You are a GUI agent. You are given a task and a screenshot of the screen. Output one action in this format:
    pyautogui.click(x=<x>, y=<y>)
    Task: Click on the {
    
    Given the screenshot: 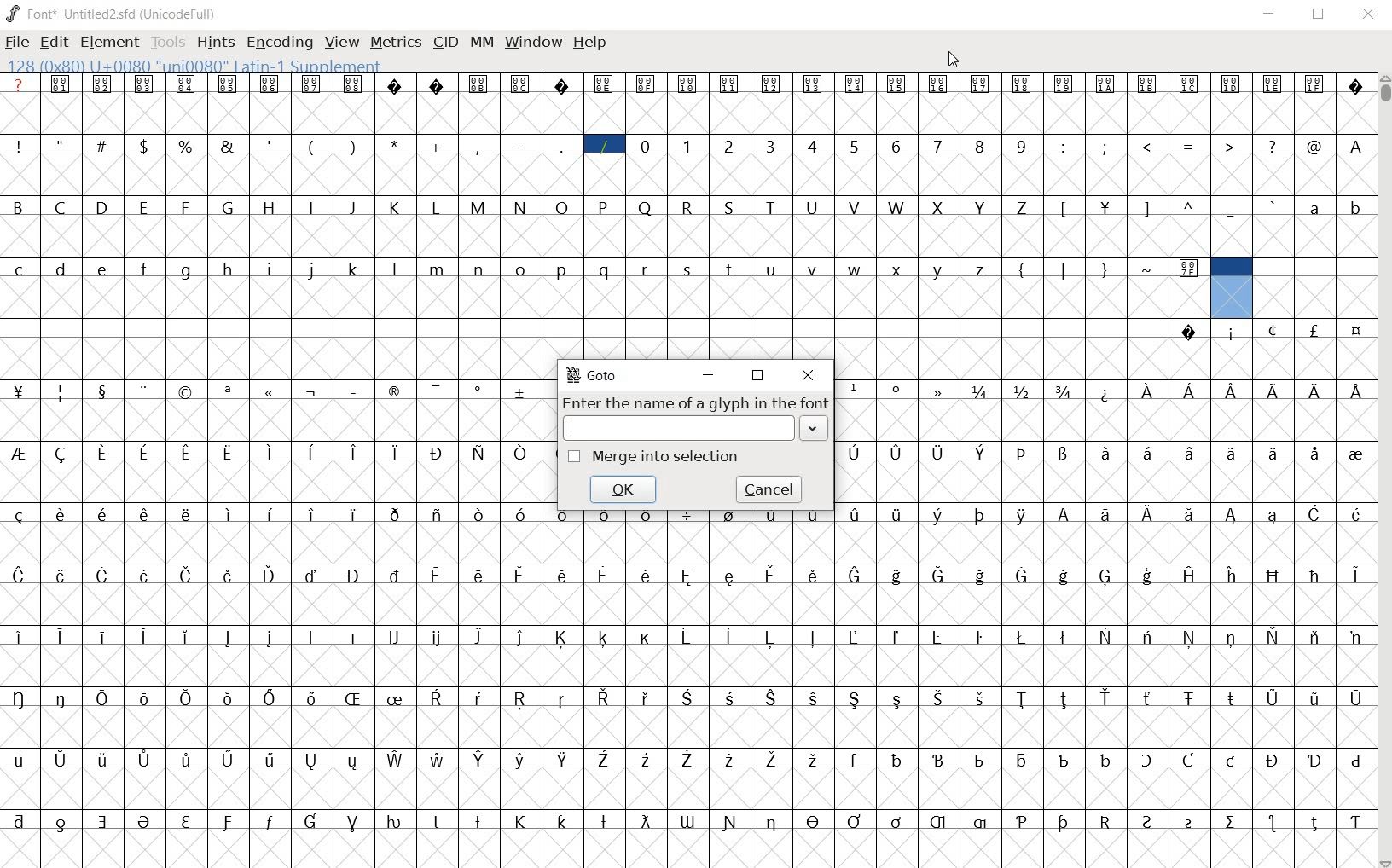 What is the action you would take?
    pyautogui.click(x=1024, y=269)
    